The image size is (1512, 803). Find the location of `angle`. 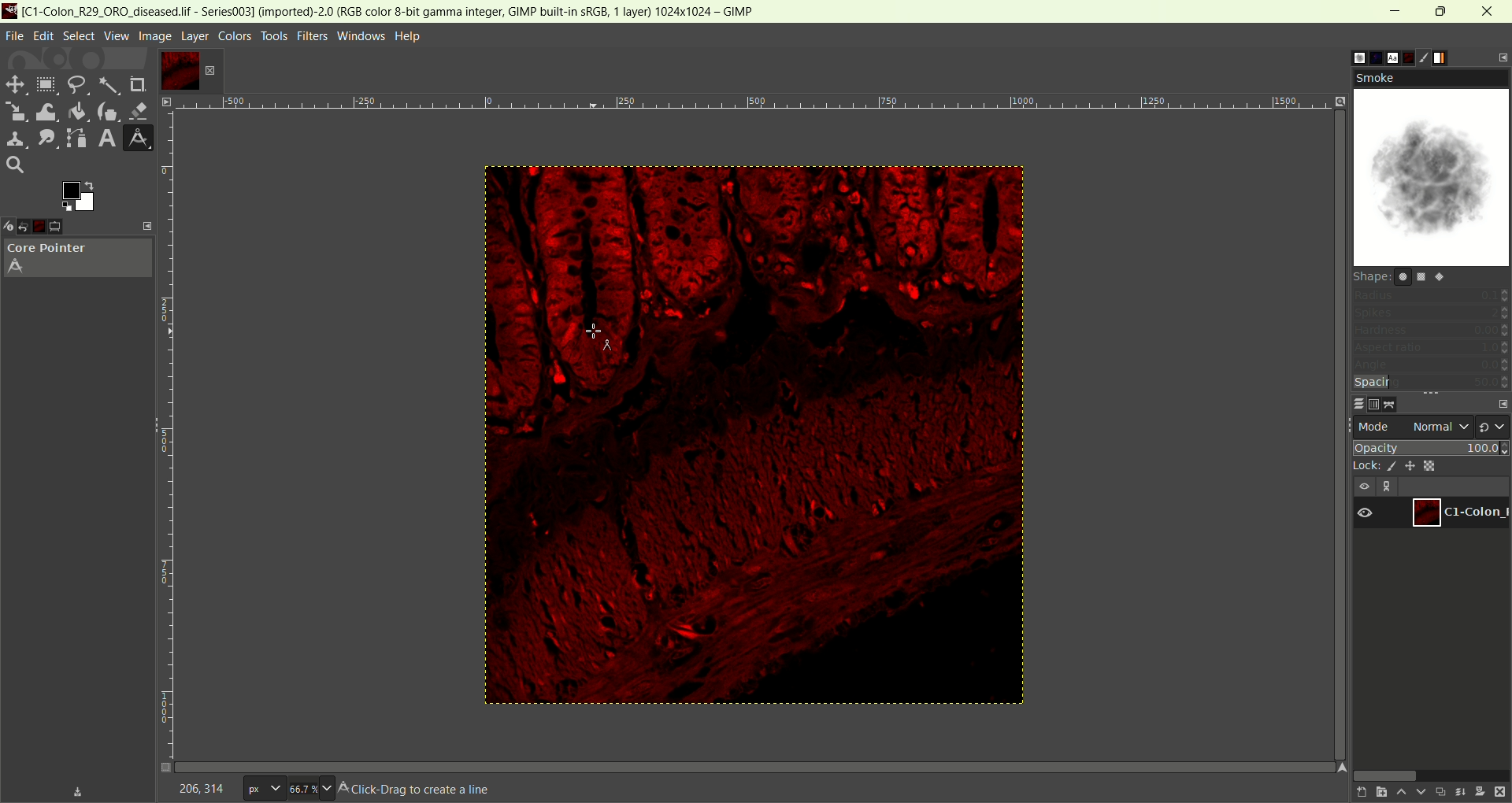

angle is located at coordinates (1431, 366).